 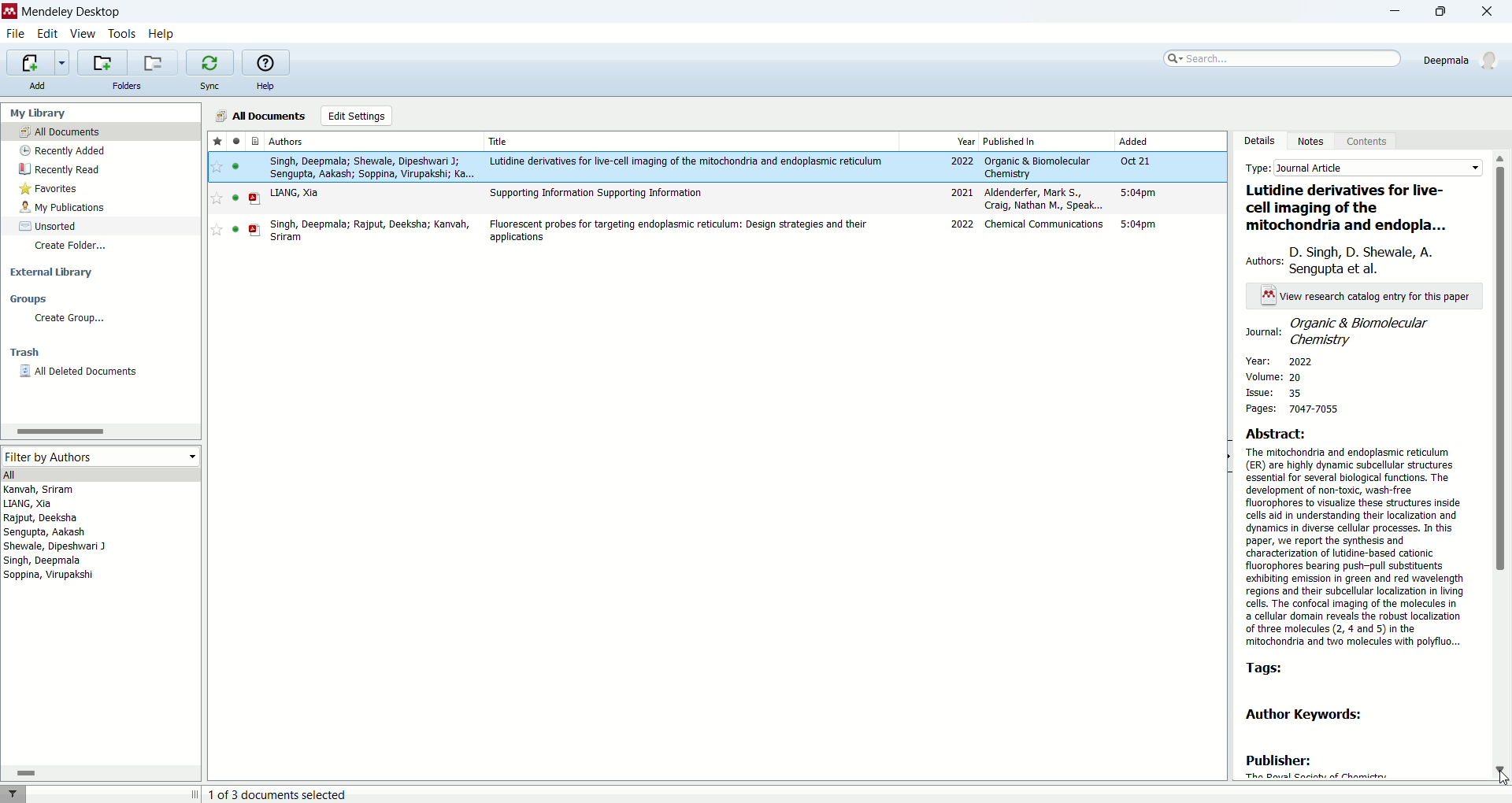 What do you see at coordinates (40, 490) in the screenshot?
I see `kanvah, sriram` at bounding box center [40, 490].